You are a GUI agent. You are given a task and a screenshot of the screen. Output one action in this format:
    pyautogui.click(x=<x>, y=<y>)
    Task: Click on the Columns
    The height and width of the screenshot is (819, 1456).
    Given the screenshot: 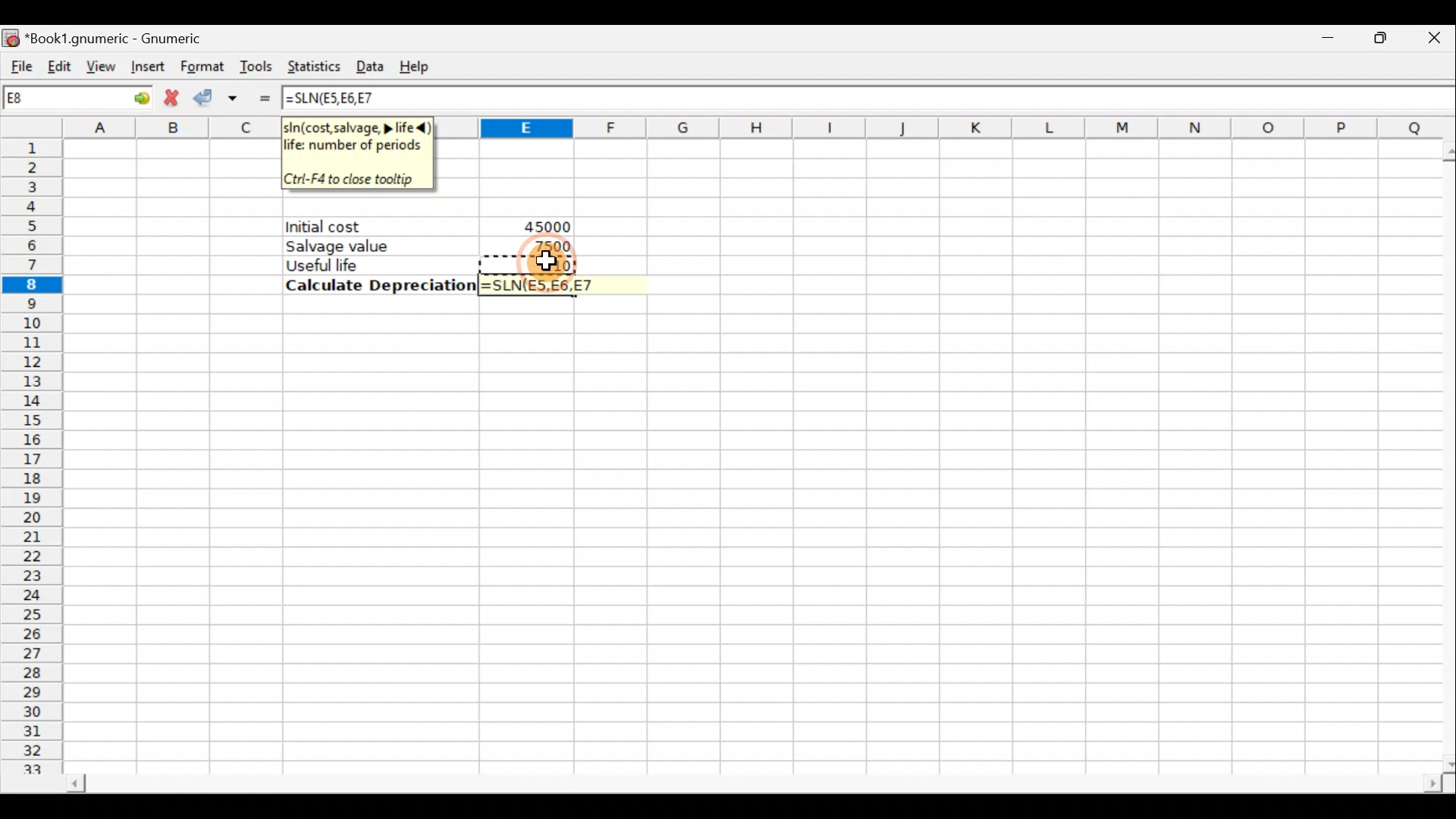 What is the action you would take?
    pyautogui.click(x=963, y=128)
    